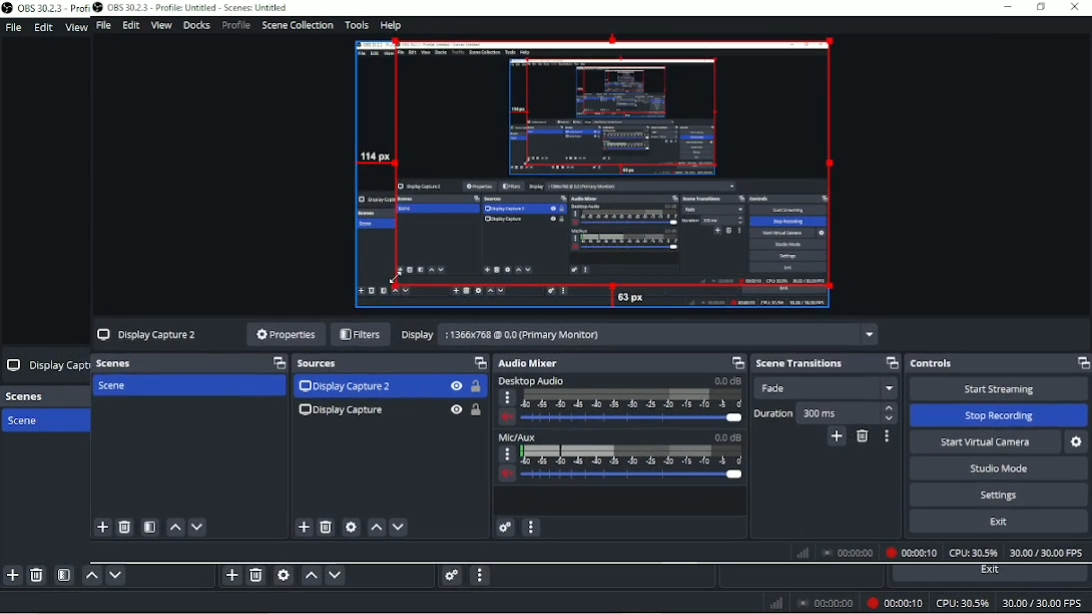  What do you see at coordinates (397, 276) in the screenshot?
I see `cursor` at bounding box center [397, 276].